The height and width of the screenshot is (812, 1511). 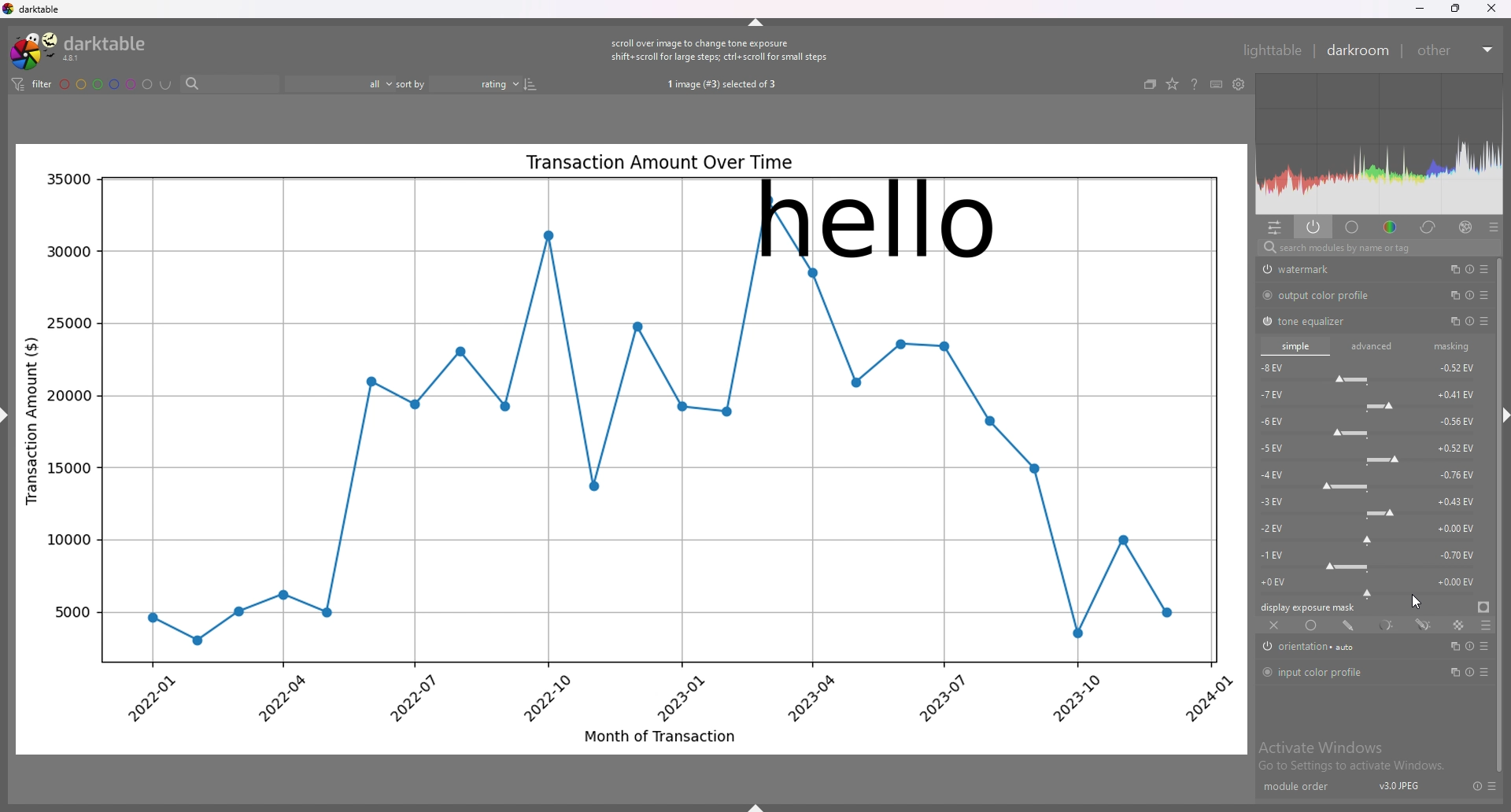 I want to click on multiple instance actions, reset and presets, so click(x=1469, y=268).